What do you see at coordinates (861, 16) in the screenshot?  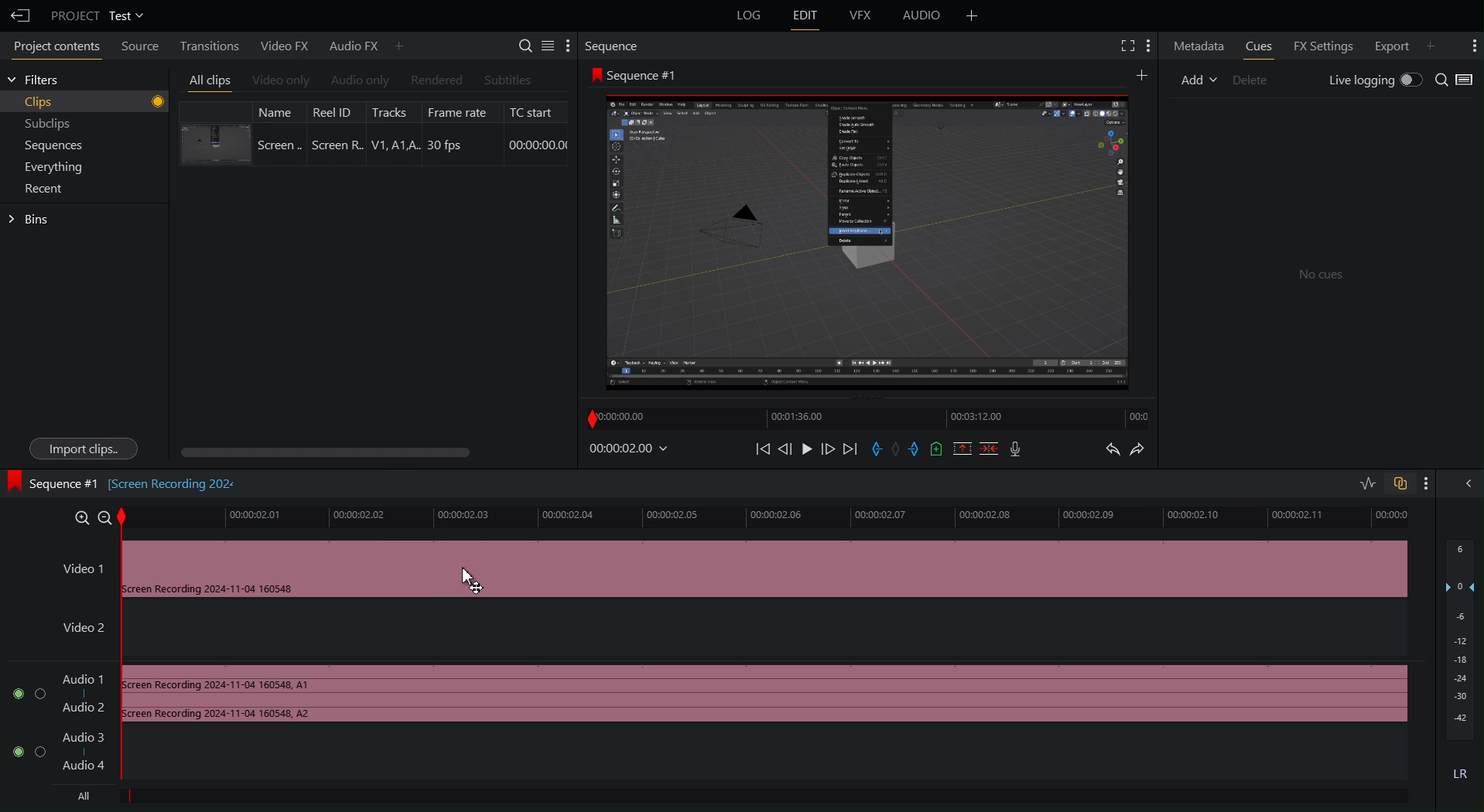 I see `VFX` at bounding box center [861, 16].